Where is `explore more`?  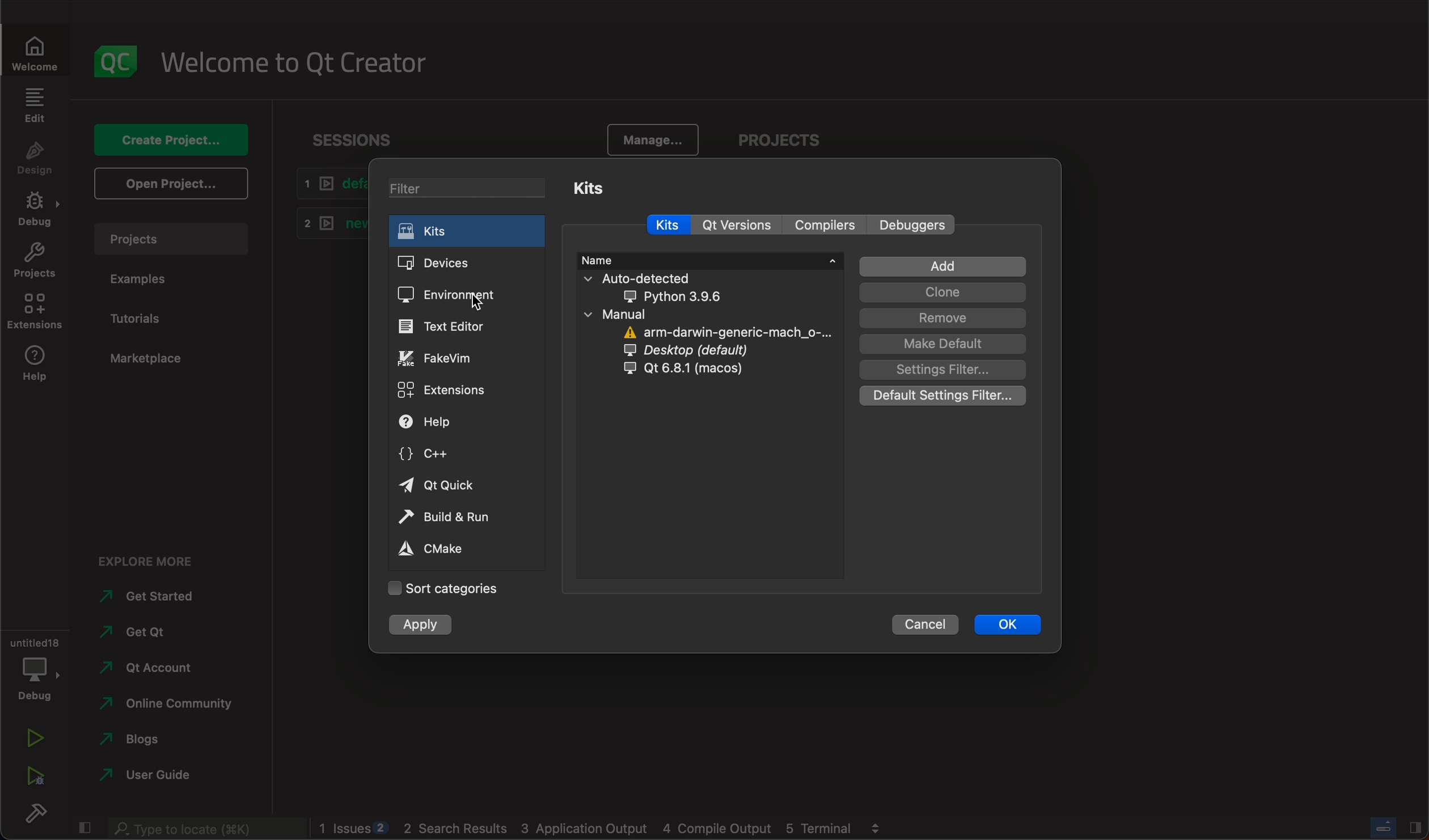
explore more is located at coordinates (143, 558).